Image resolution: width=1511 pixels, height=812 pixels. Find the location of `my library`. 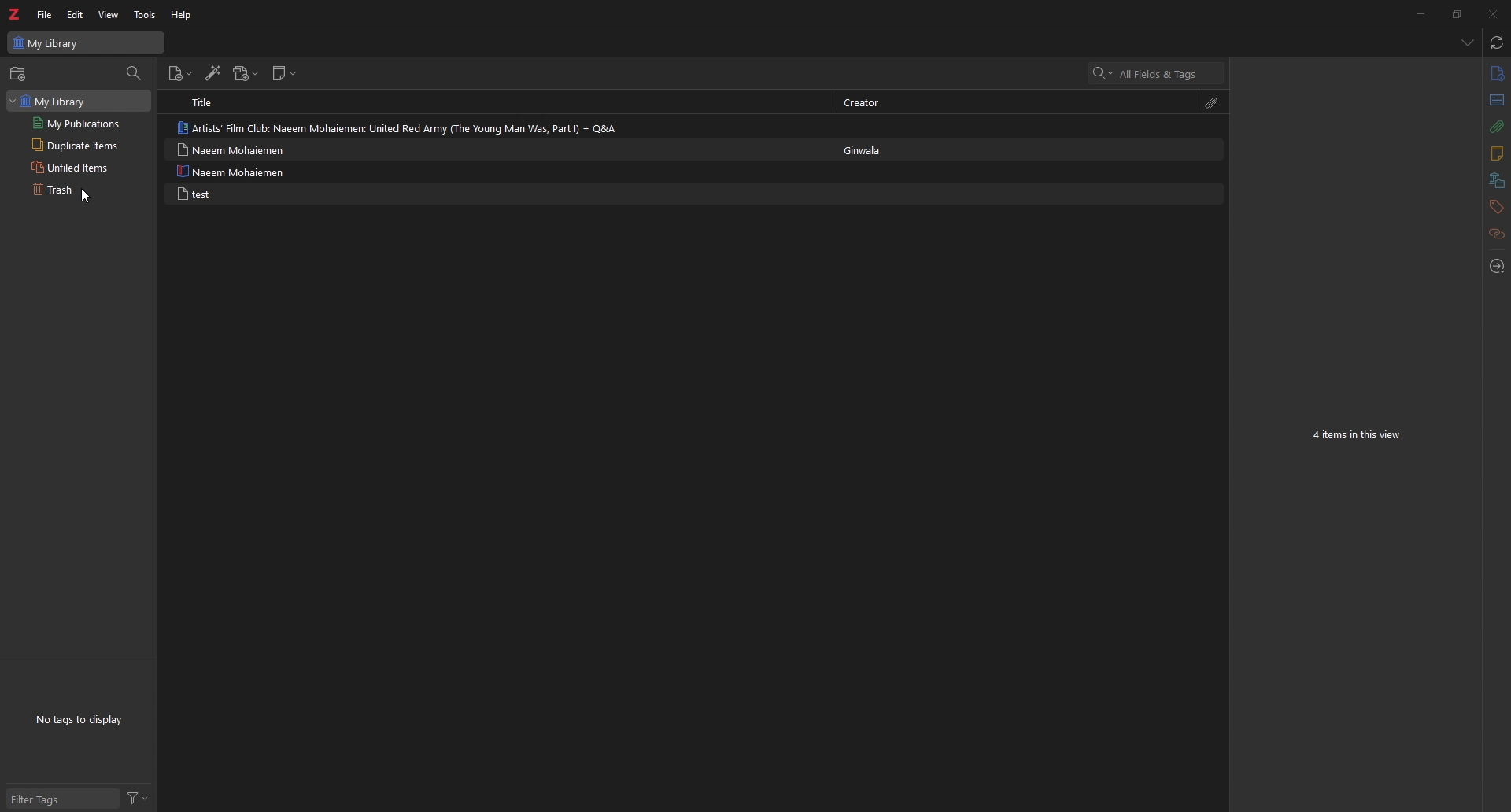

my library is located at coordinates (87, 42).